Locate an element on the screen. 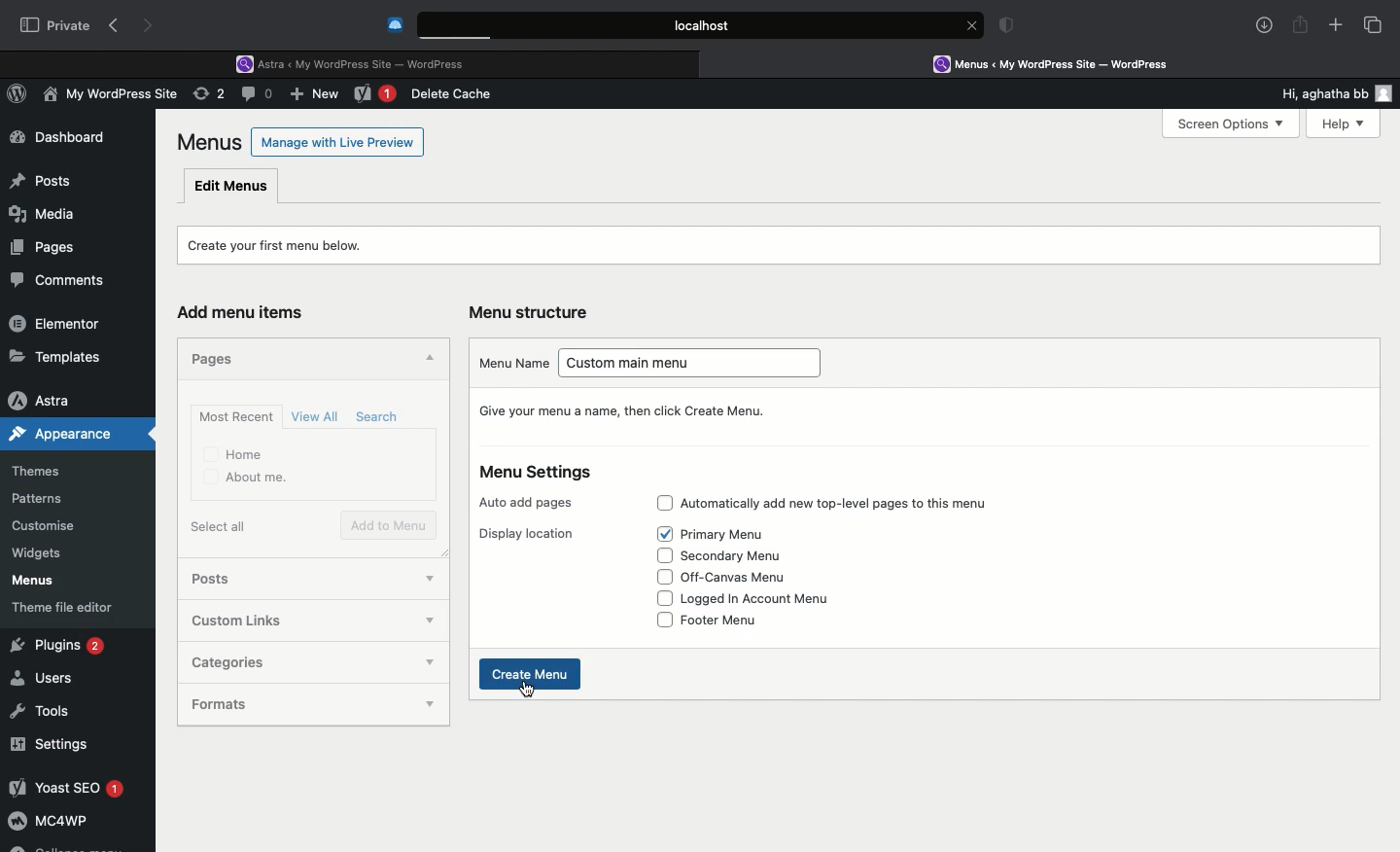  Comment (0) is located at coordinates (260, 93).